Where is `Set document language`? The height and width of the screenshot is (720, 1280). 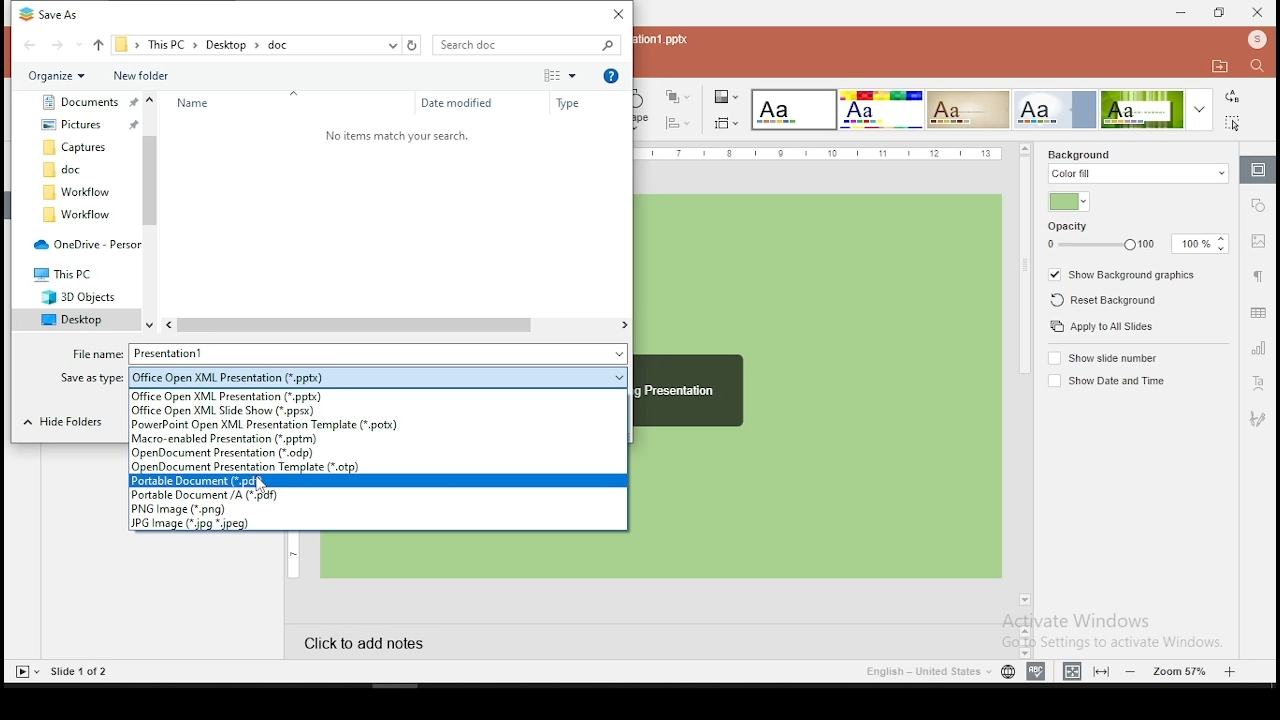 Set document language is located at coordinates (1007, 672).